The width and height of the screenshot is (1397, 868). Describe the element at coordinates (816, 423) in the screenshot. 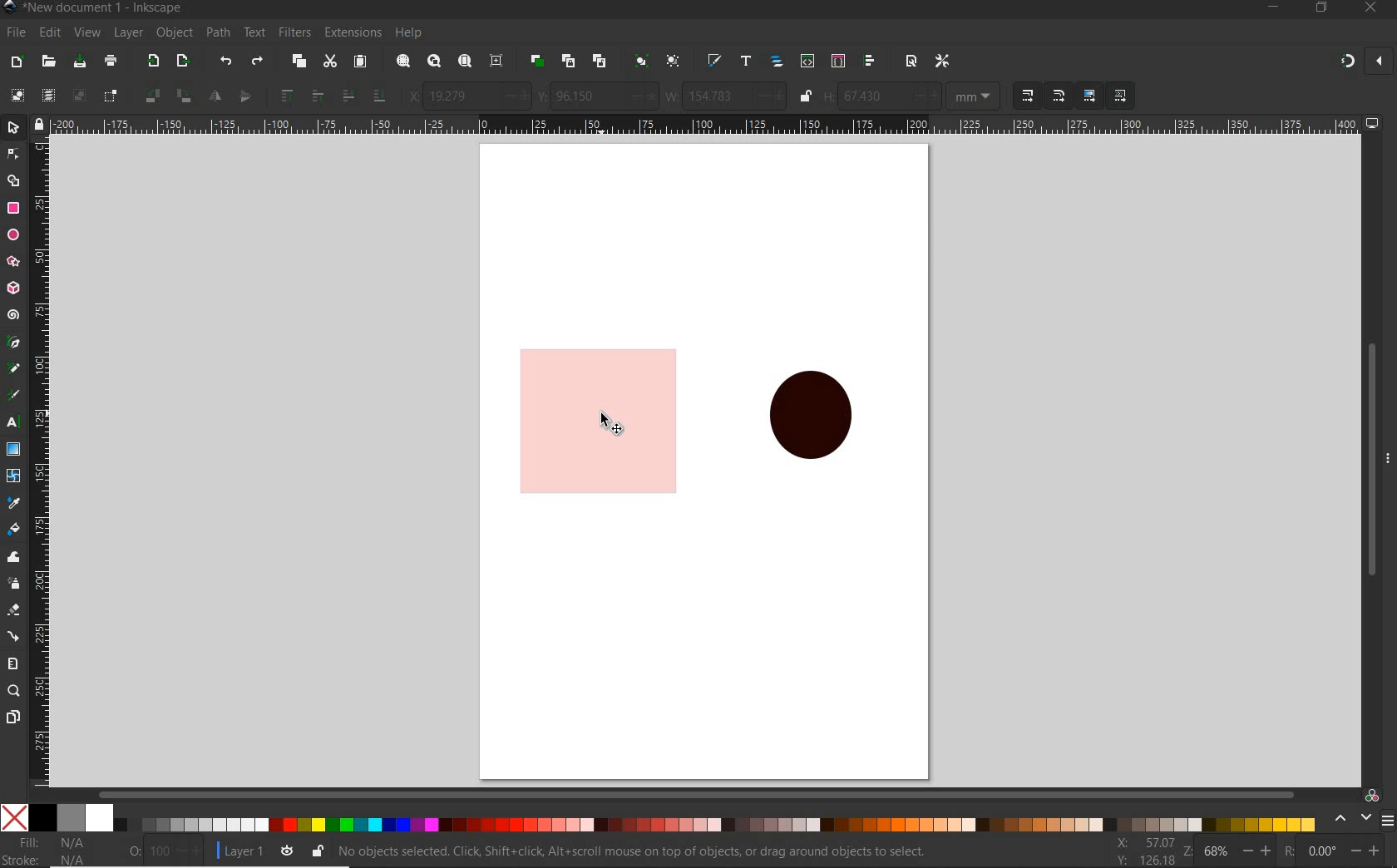

I see `shape` at that location.